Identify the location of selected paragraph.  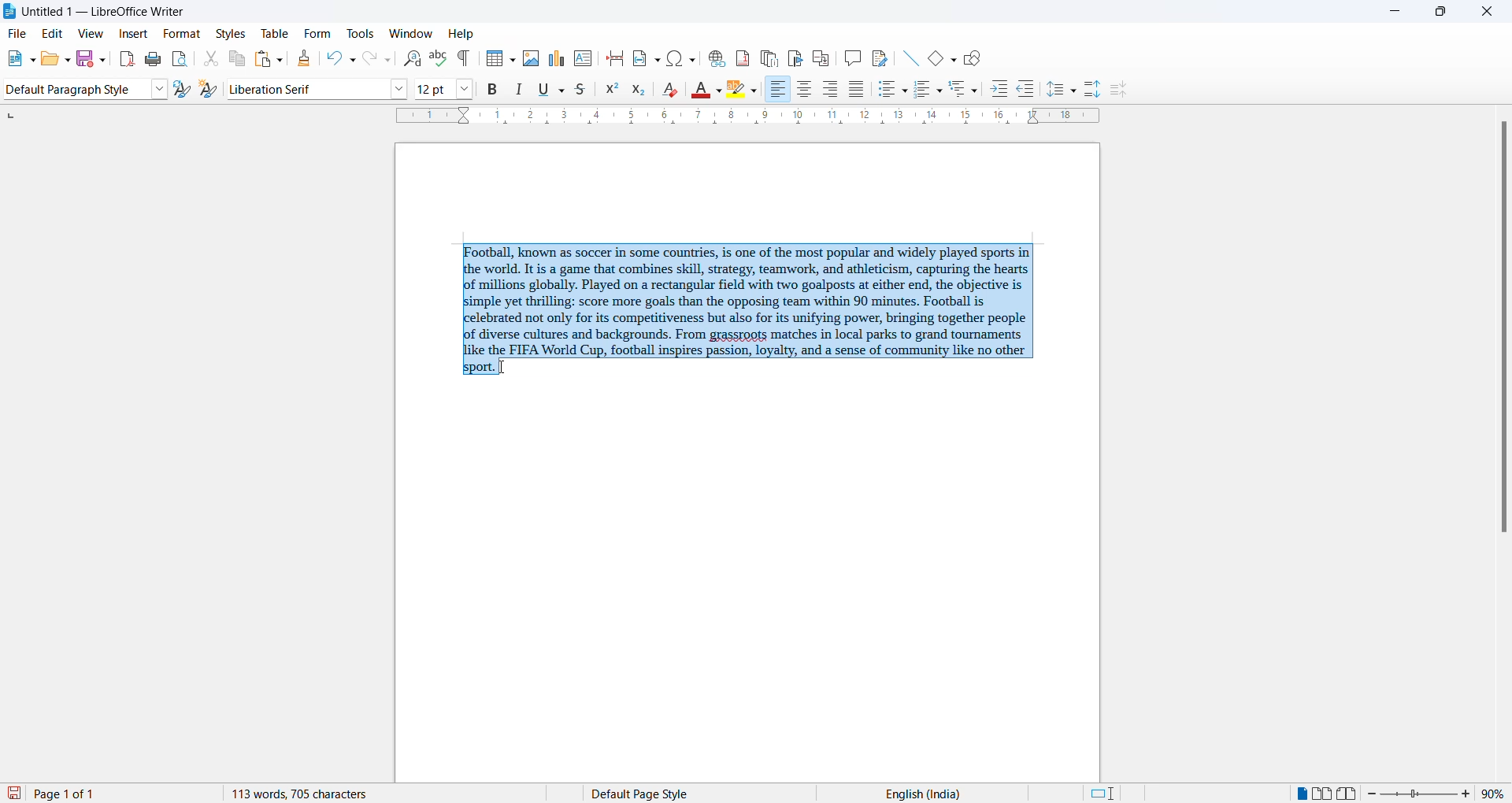
(749, 309).